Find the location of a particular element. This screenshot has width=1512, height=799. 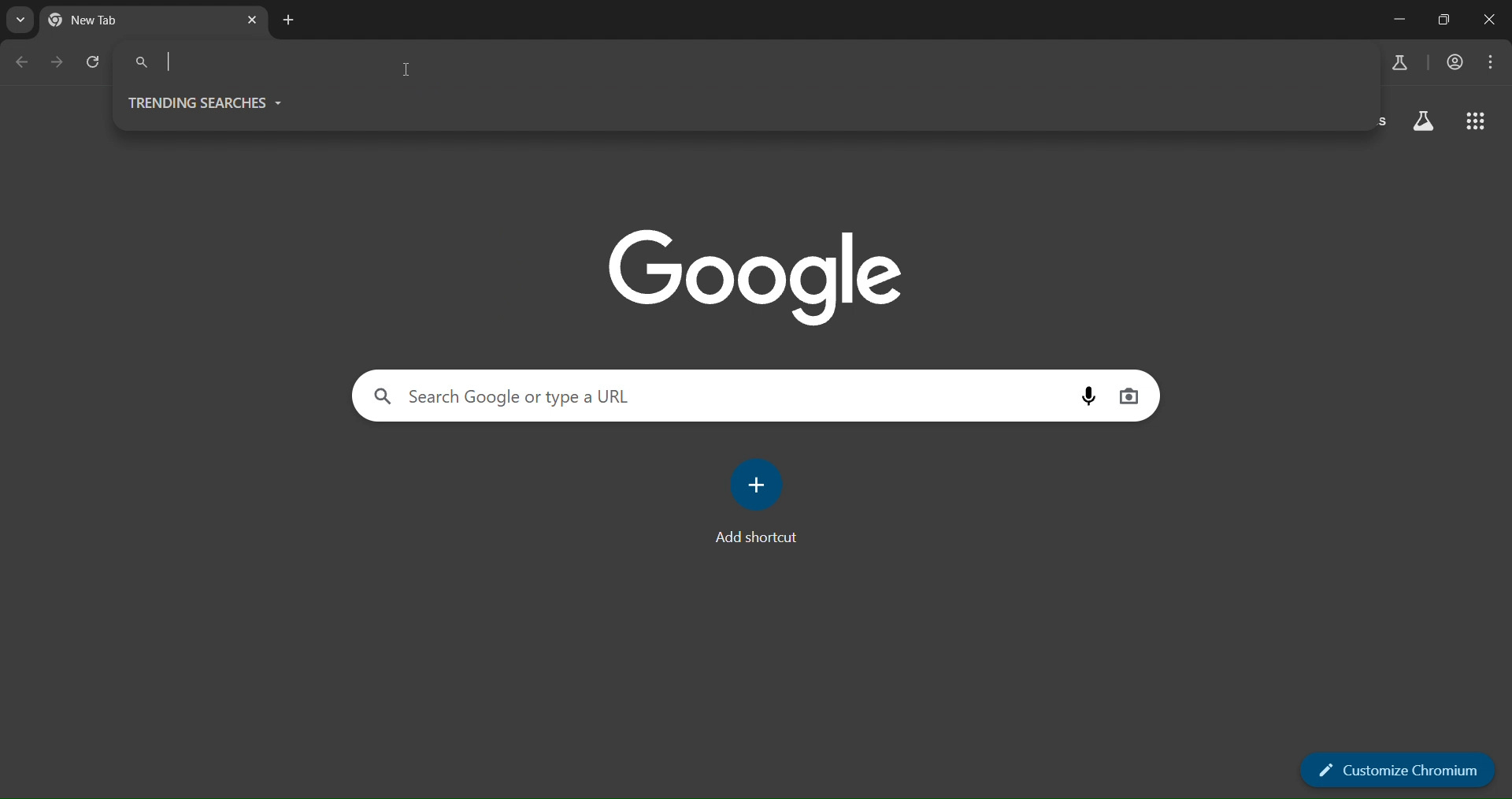

customize chromium is located at coordinates (1401, 765).